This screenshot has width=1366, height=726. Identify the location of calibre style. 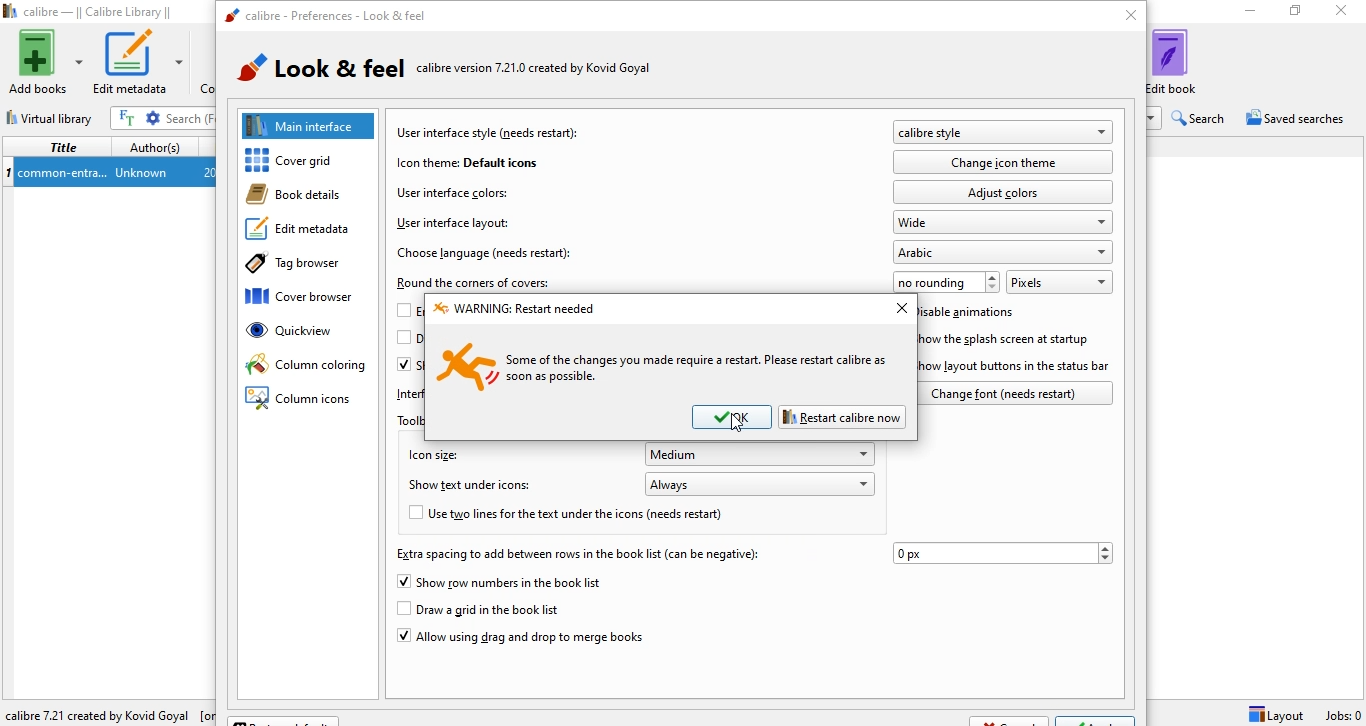
(1002, 133).